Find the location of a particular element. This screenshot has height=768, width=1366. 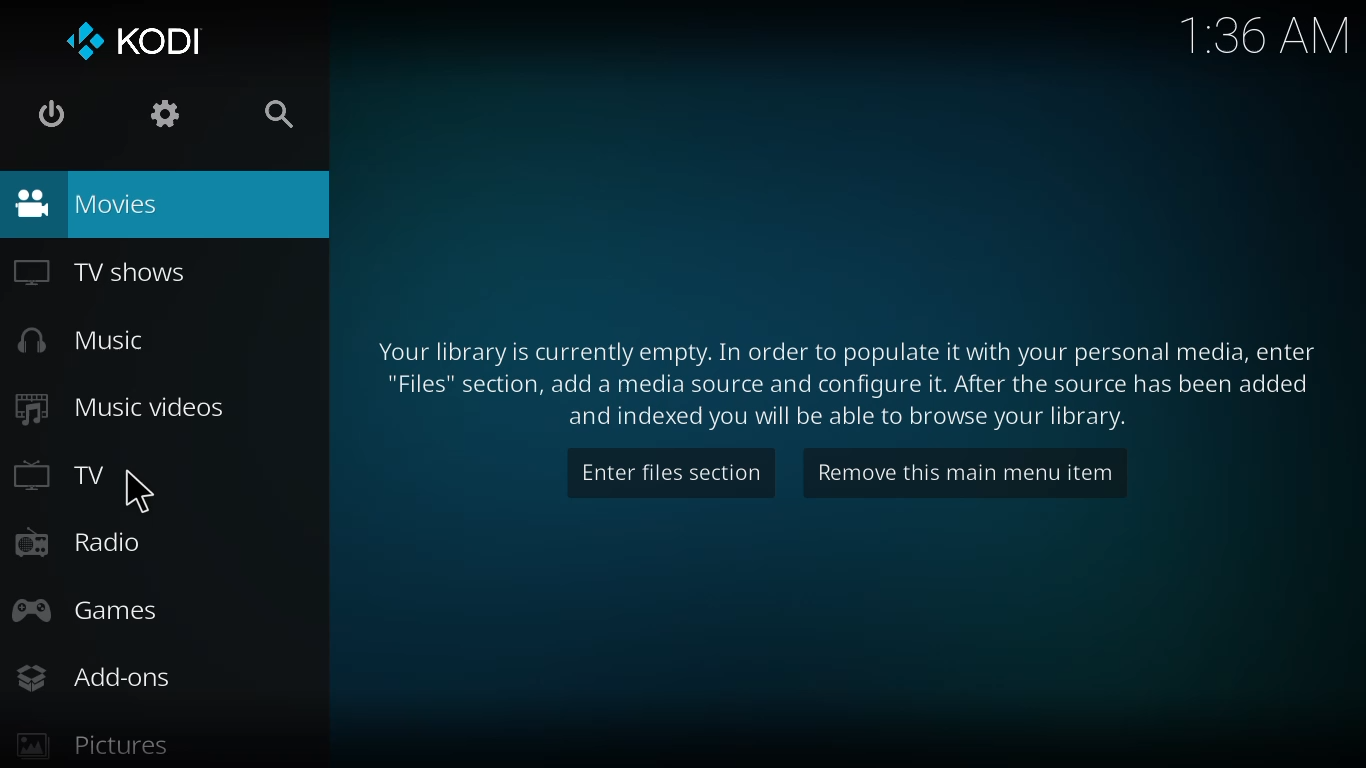

tv shows is located at coordinates (99, 271).